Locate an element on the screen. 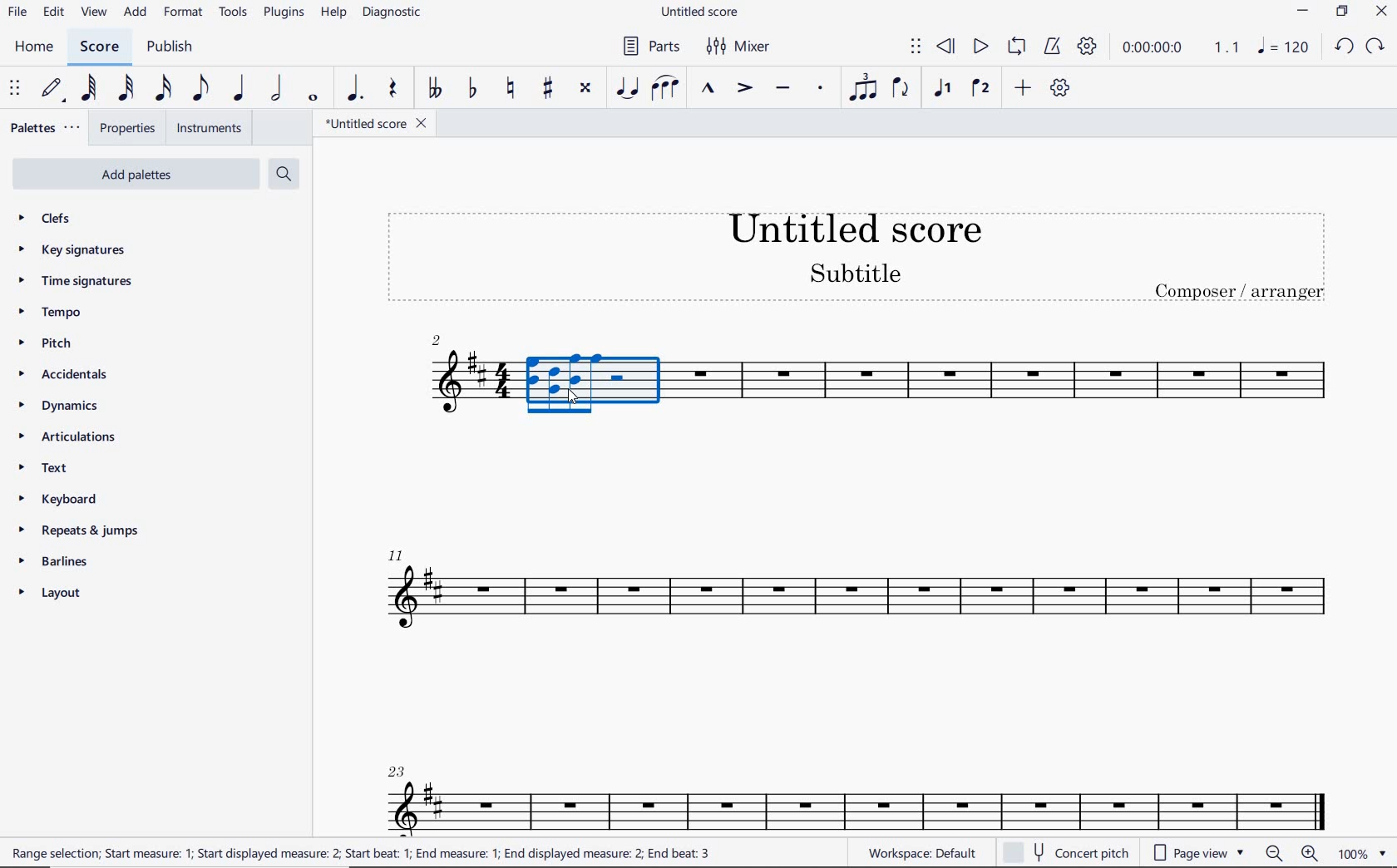  STACCATO is located at coordinates (820, 89).